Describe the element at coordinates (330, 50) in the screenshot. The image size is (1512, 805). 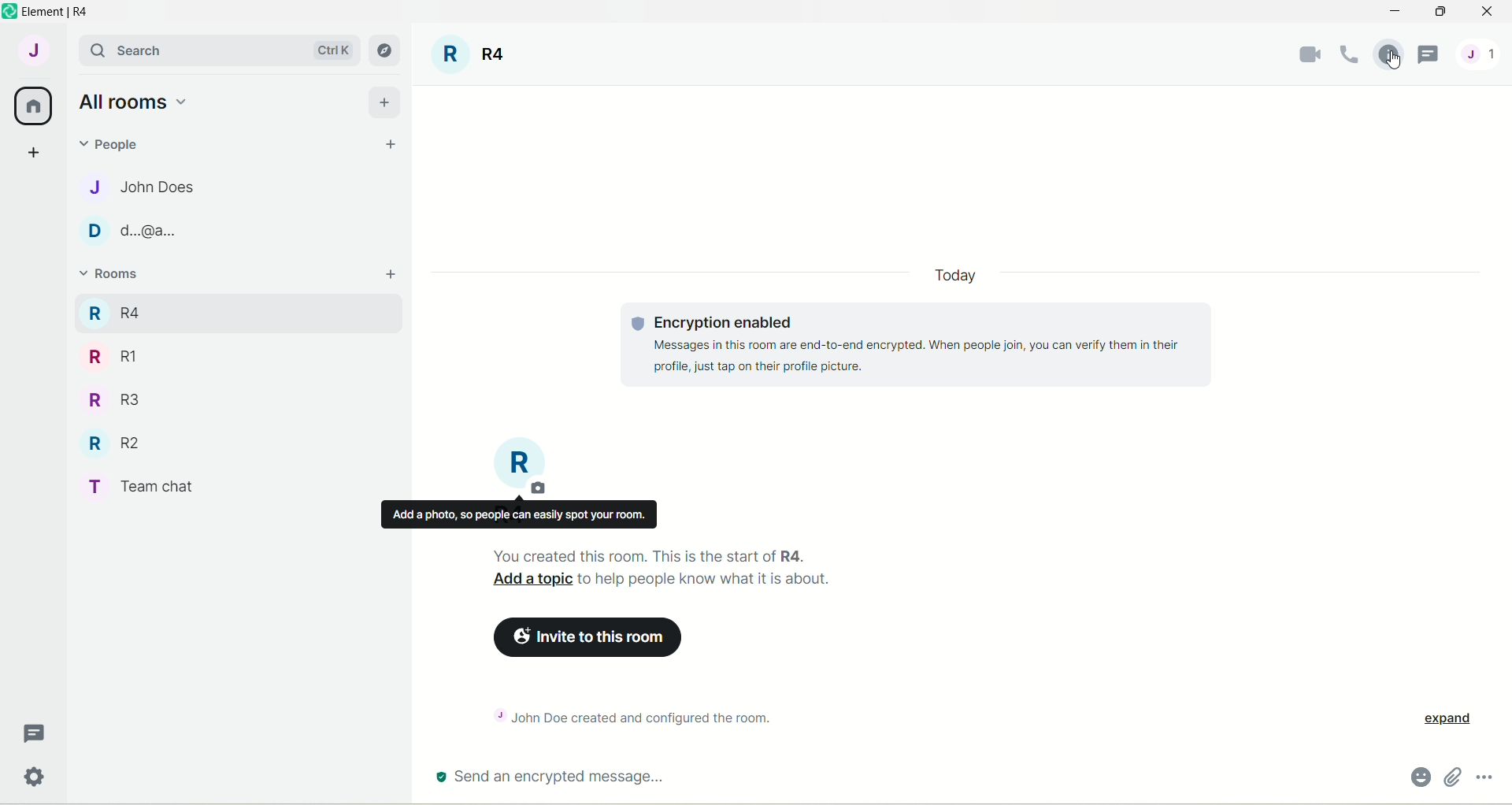
I see `Ctrl K` at that location.